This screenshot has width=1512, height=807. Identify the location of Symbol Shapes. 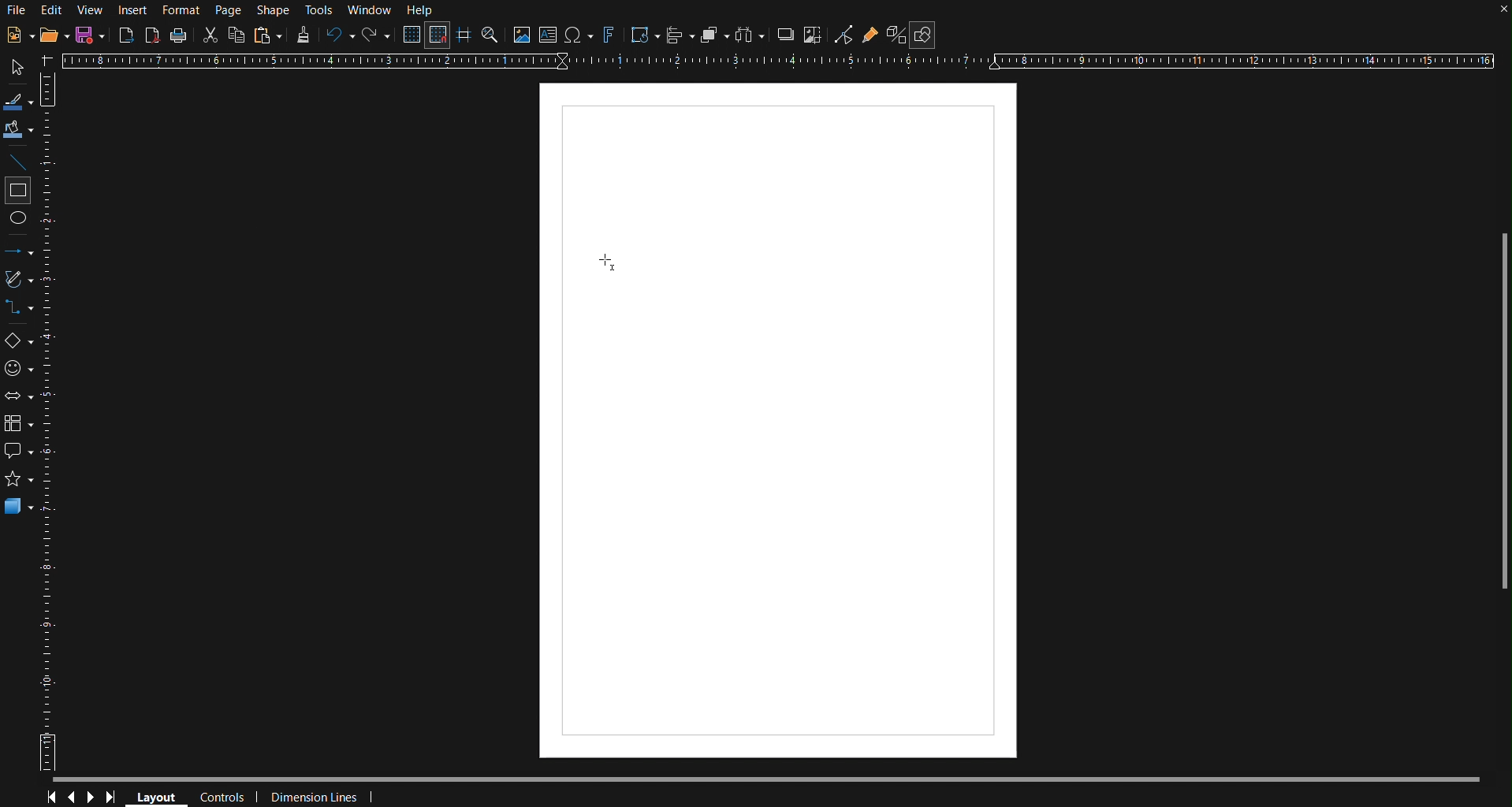
(19, 369).